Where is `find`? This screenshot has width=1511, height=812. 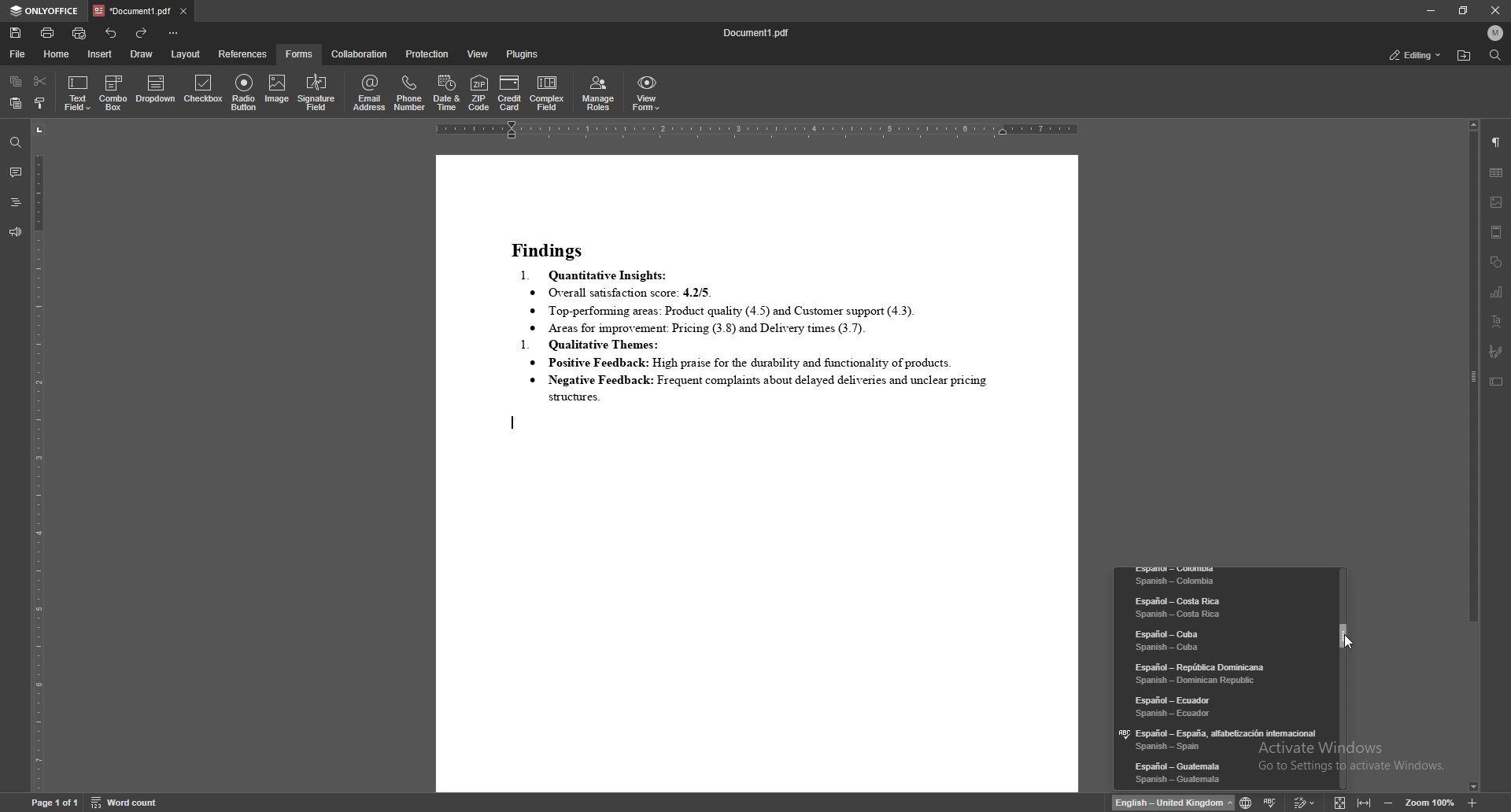
find is located at coordinates (1496, 54).